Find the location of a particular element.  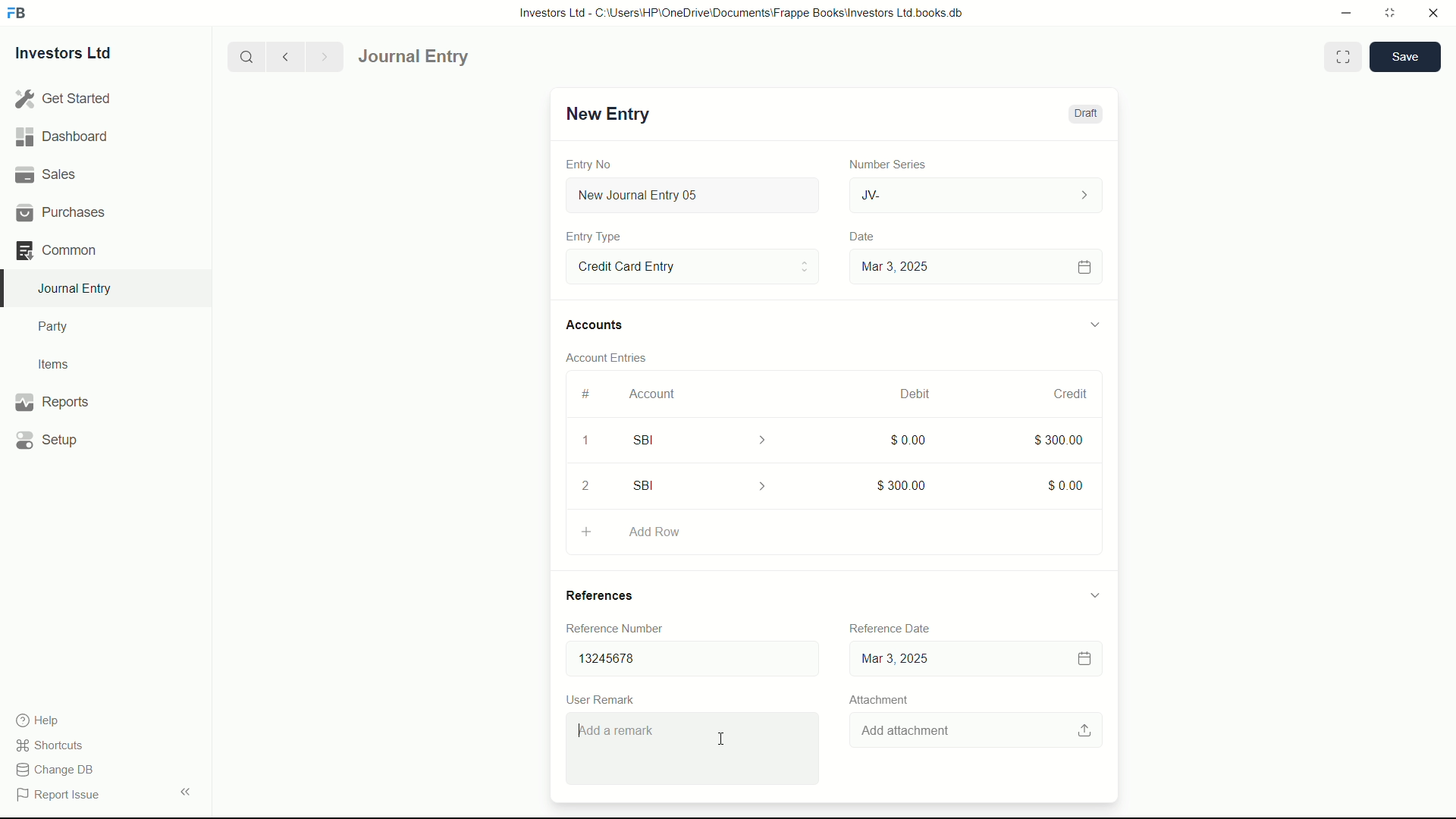

Next is located at coordinates (322, 56).